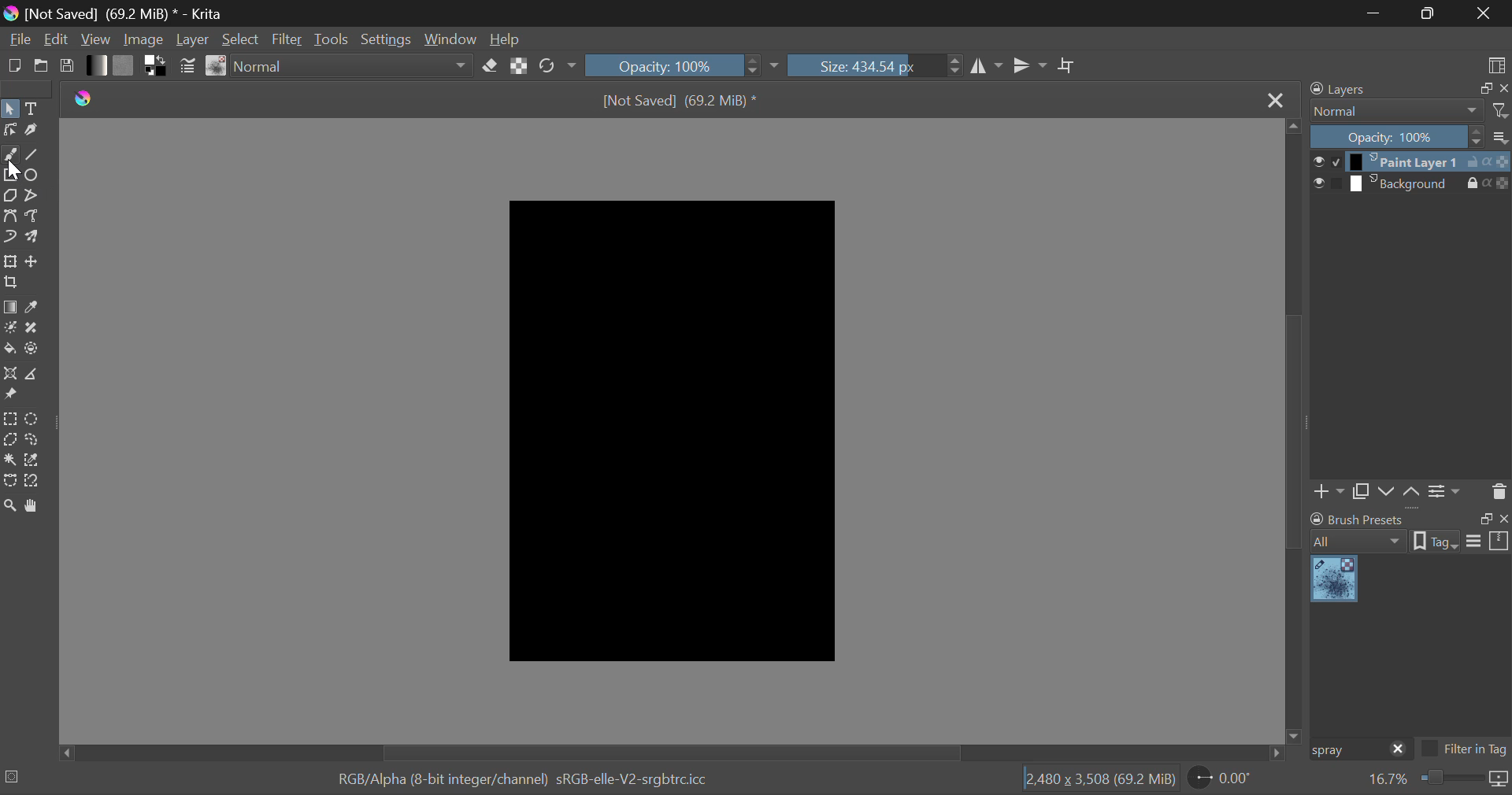 The height and width of the screenshot is (795, 1512). I want to click on Scroll Bar, so click(676, 752).